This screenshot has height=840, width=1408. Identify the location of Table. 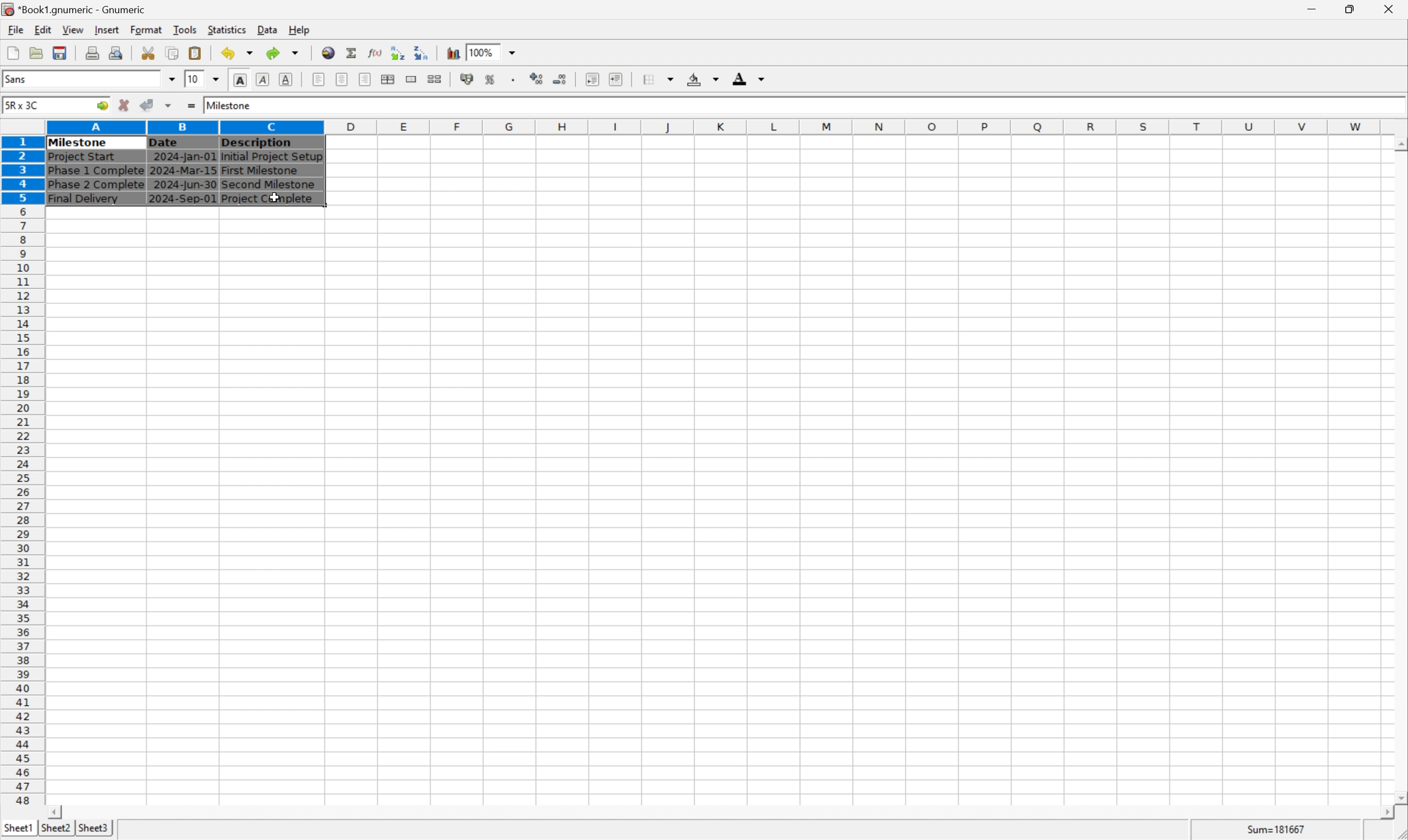
(189, 170).